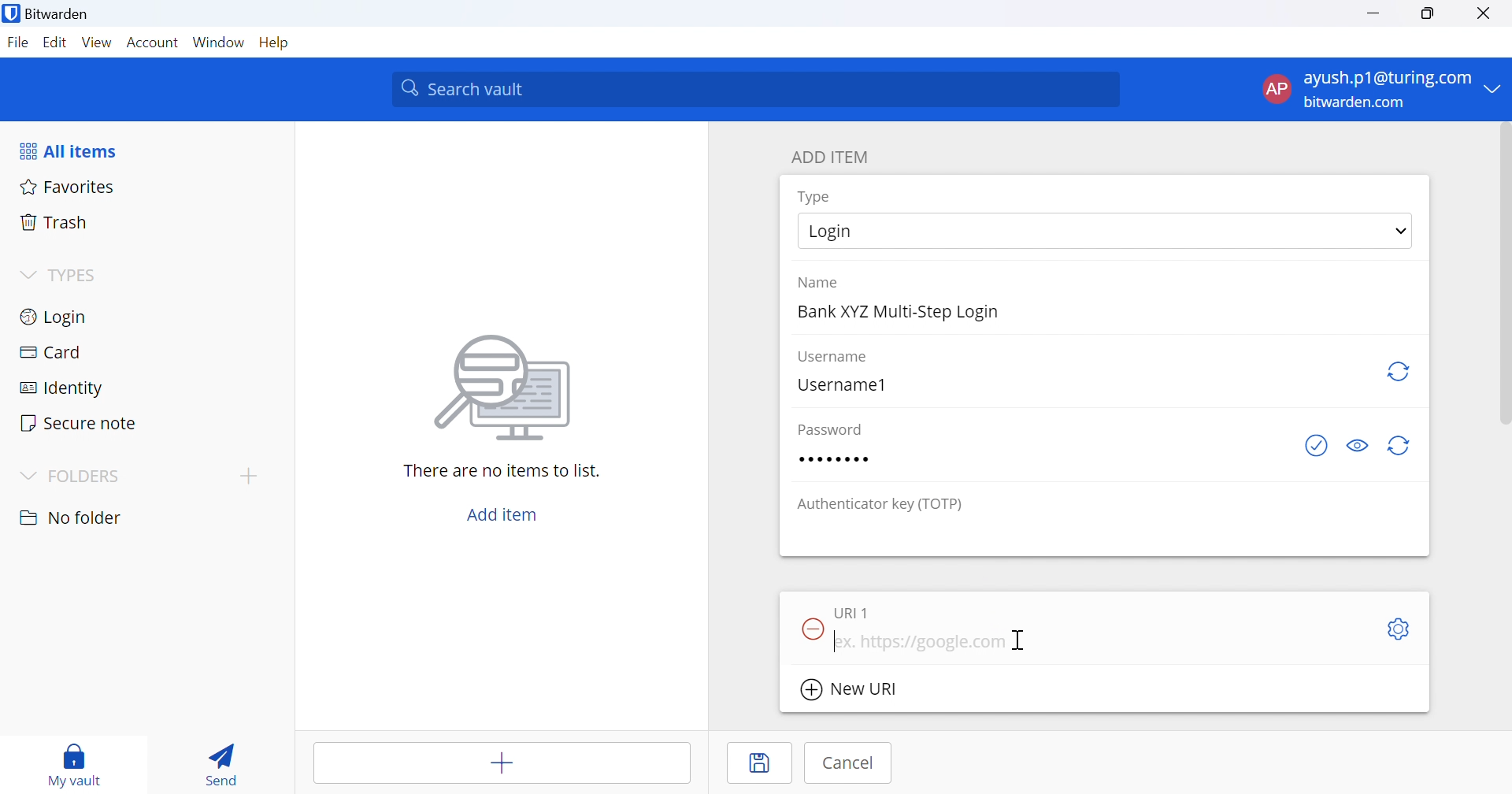 This screenshot has height=794, width=1512. I want to click on Edit, so click(53, 43).